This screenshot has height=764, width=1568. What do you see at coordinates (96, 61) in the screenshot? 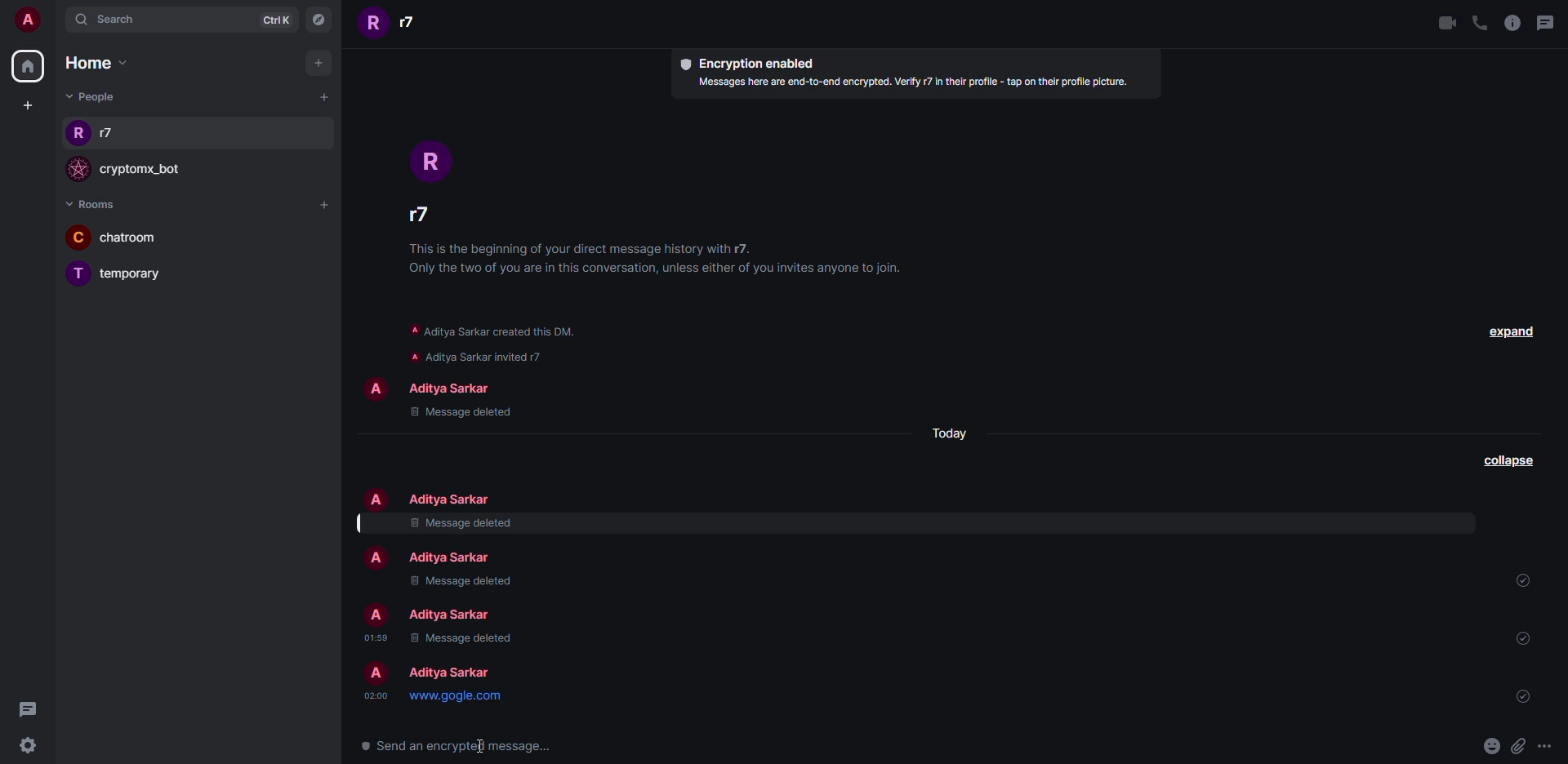
I see `home` at bounding box center [96, 61].